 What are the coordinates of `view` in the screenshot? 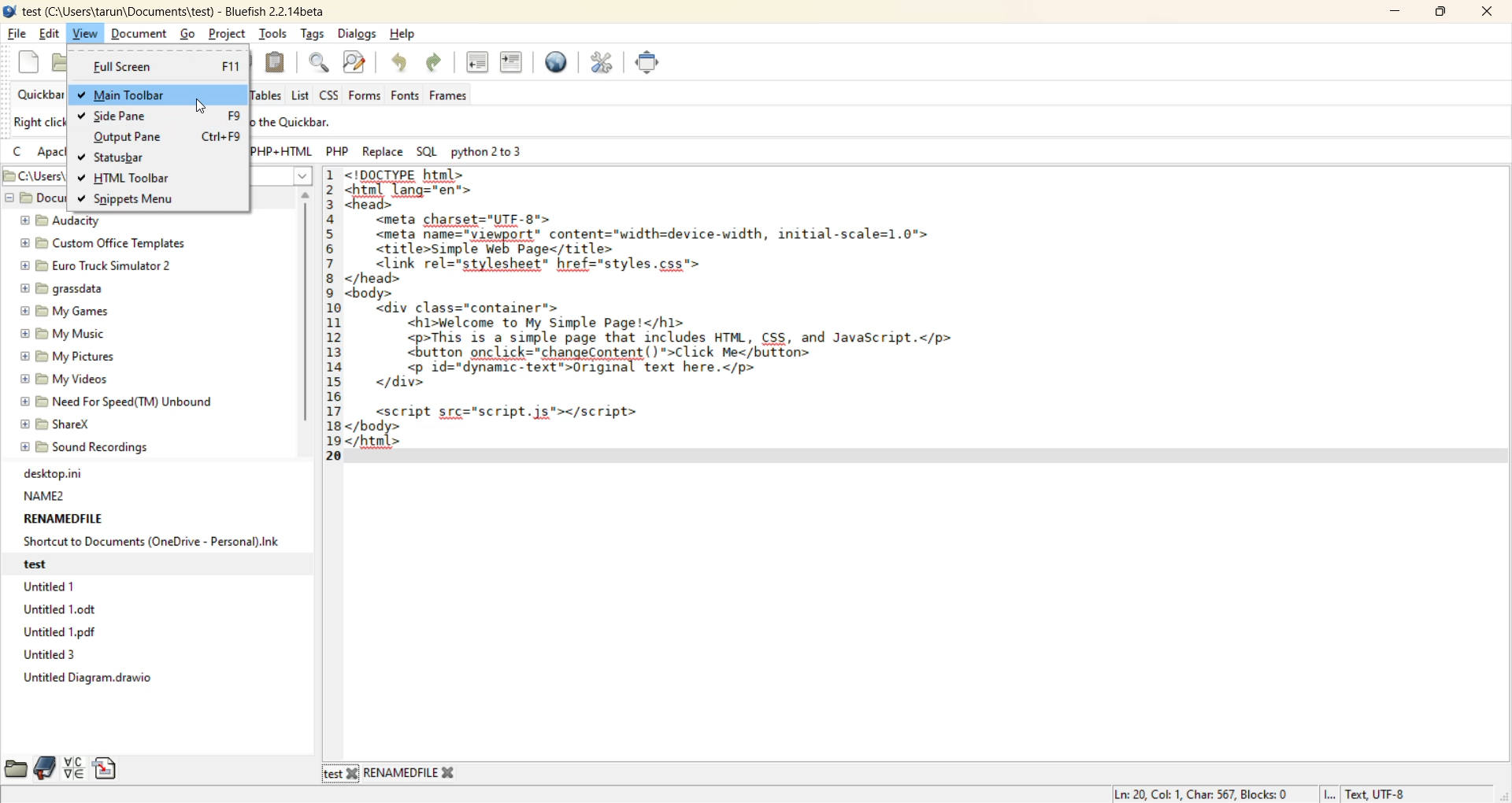 It's located at (85, 32).